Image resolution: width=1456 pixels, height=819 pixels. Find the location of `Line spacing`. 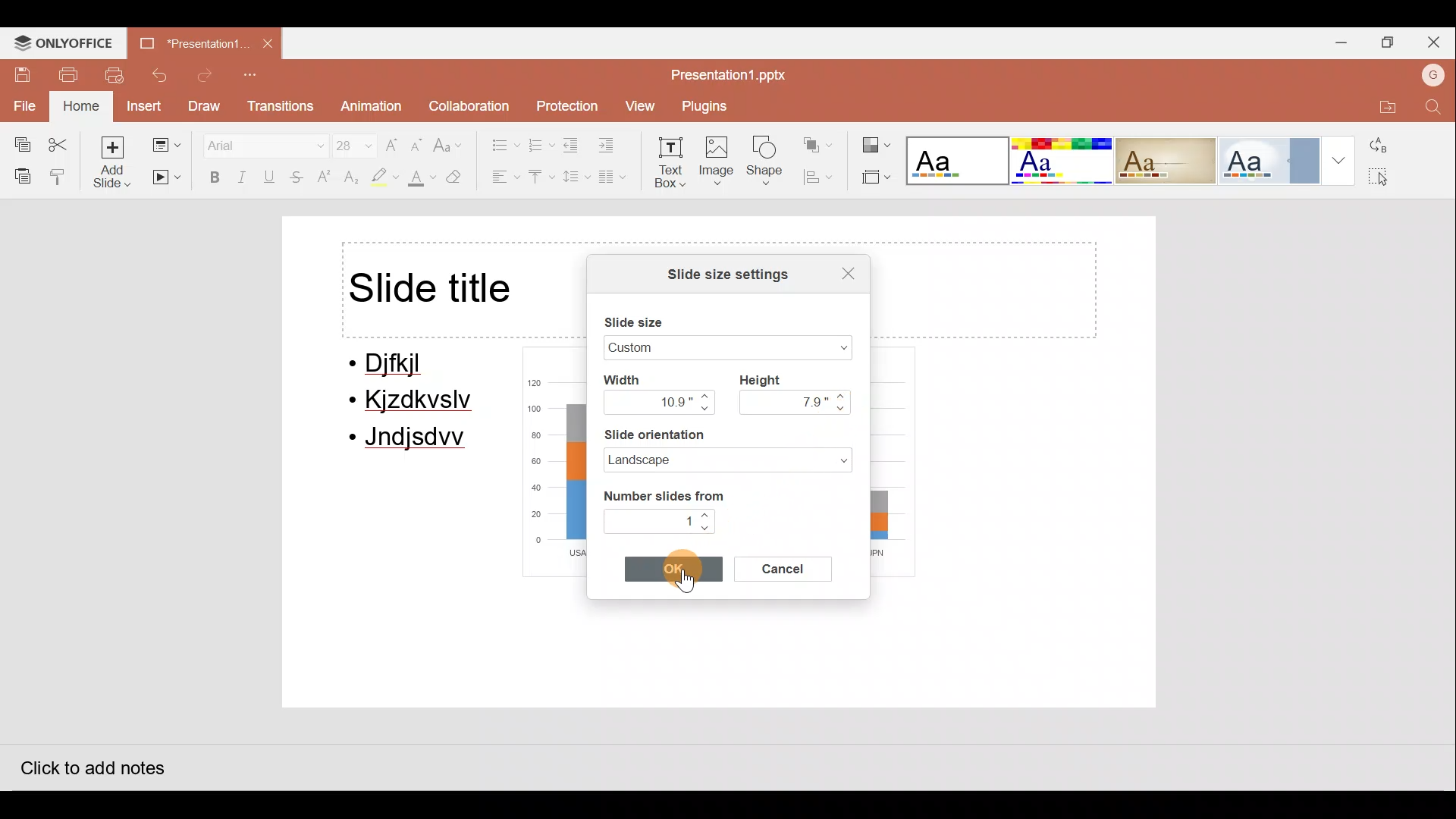

Line spacing is located at coordinates (574, 177).